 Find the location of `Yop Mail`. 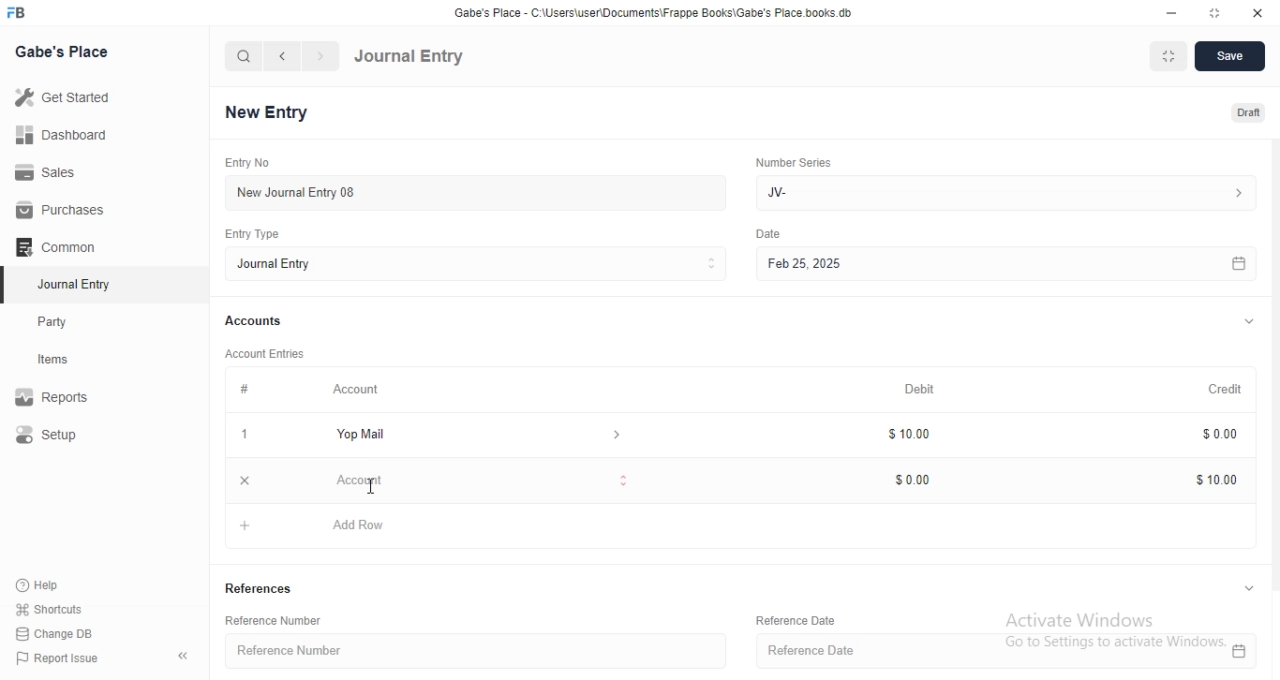

Yop Mail is located at coordinates (473, 435).